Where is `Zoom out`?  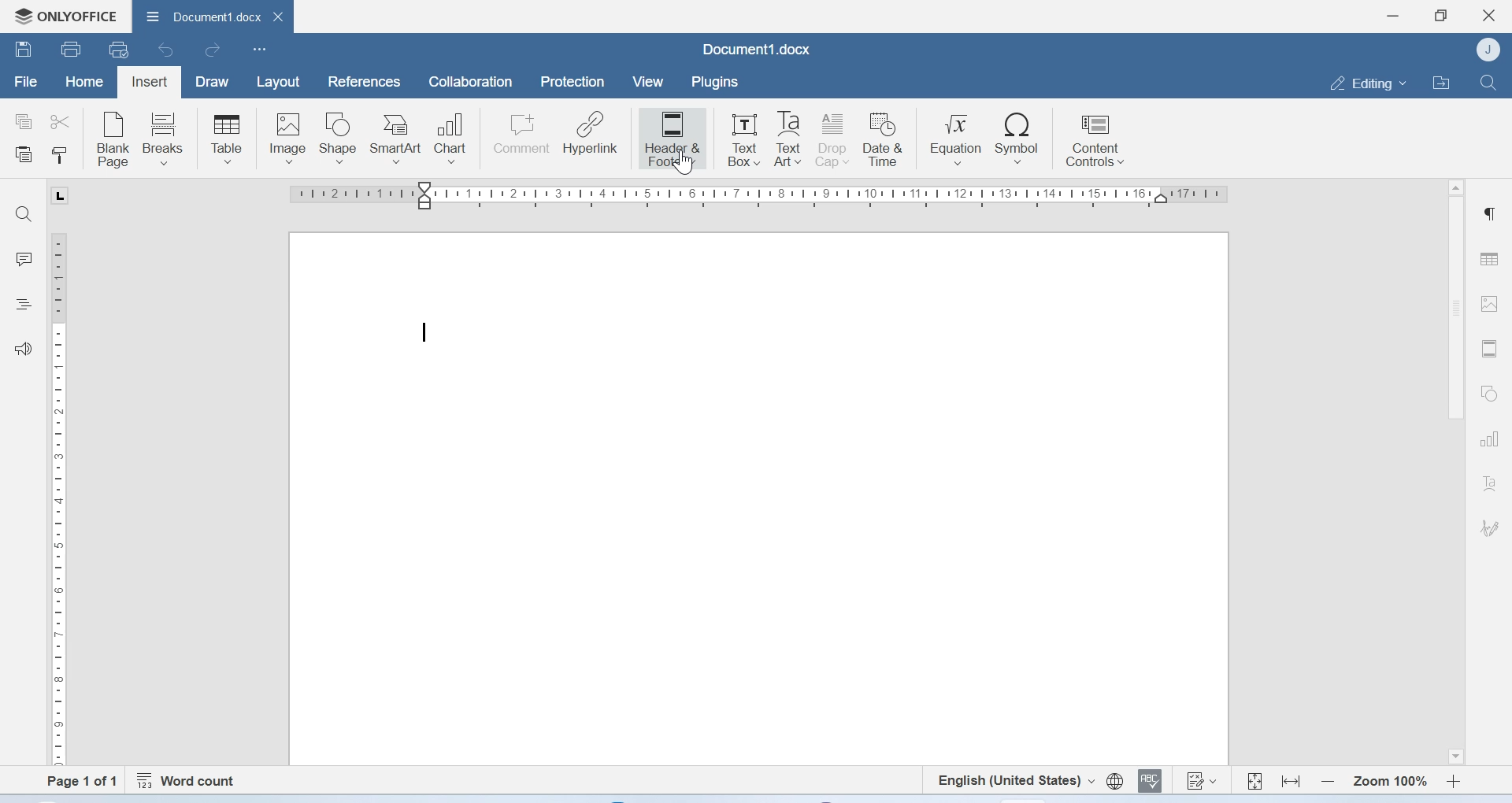
Zoom out is located at coordinates (1327, 780).